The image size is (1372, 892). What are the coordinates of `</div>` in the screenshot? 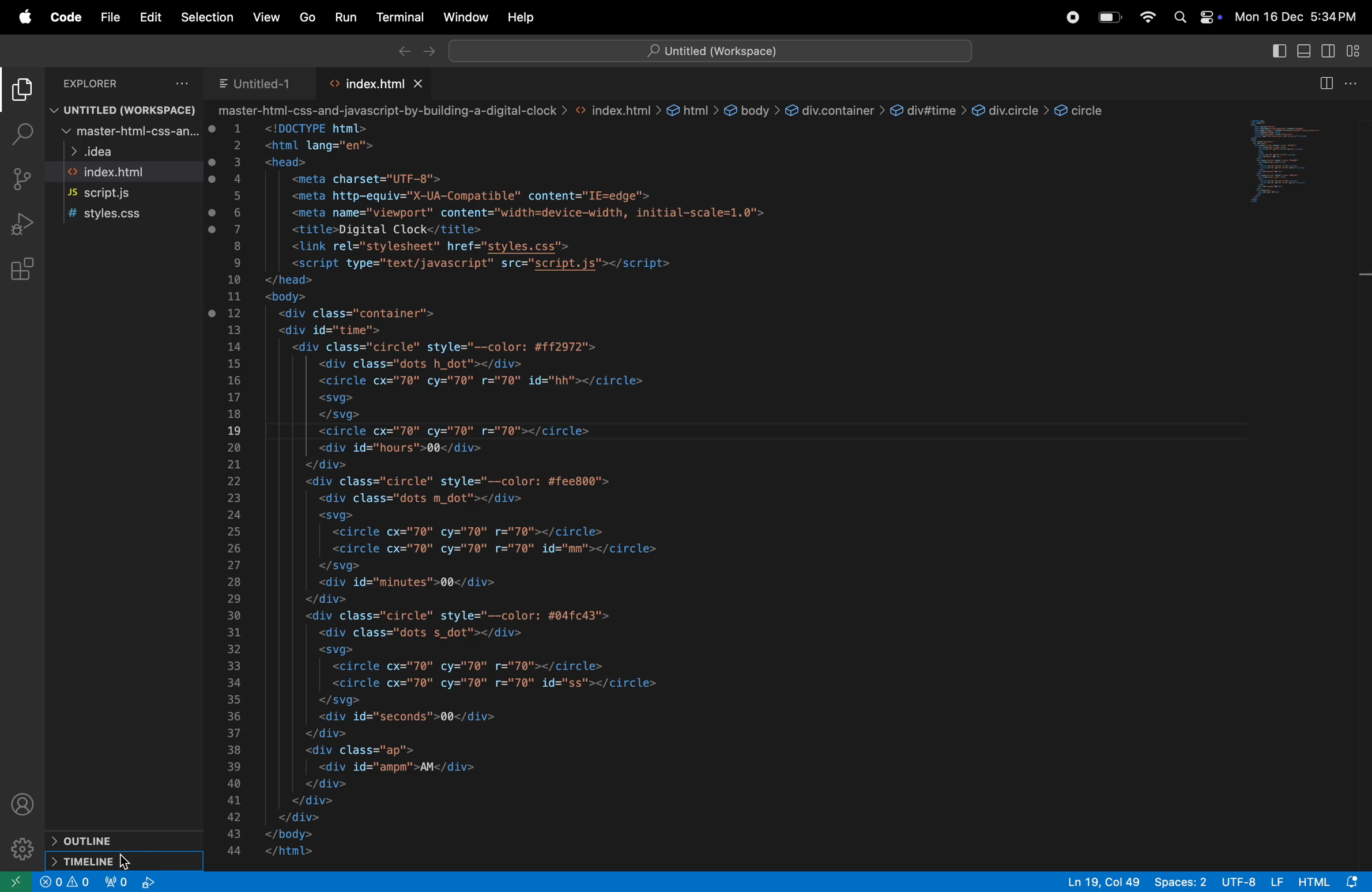 It's located at (330, 598).